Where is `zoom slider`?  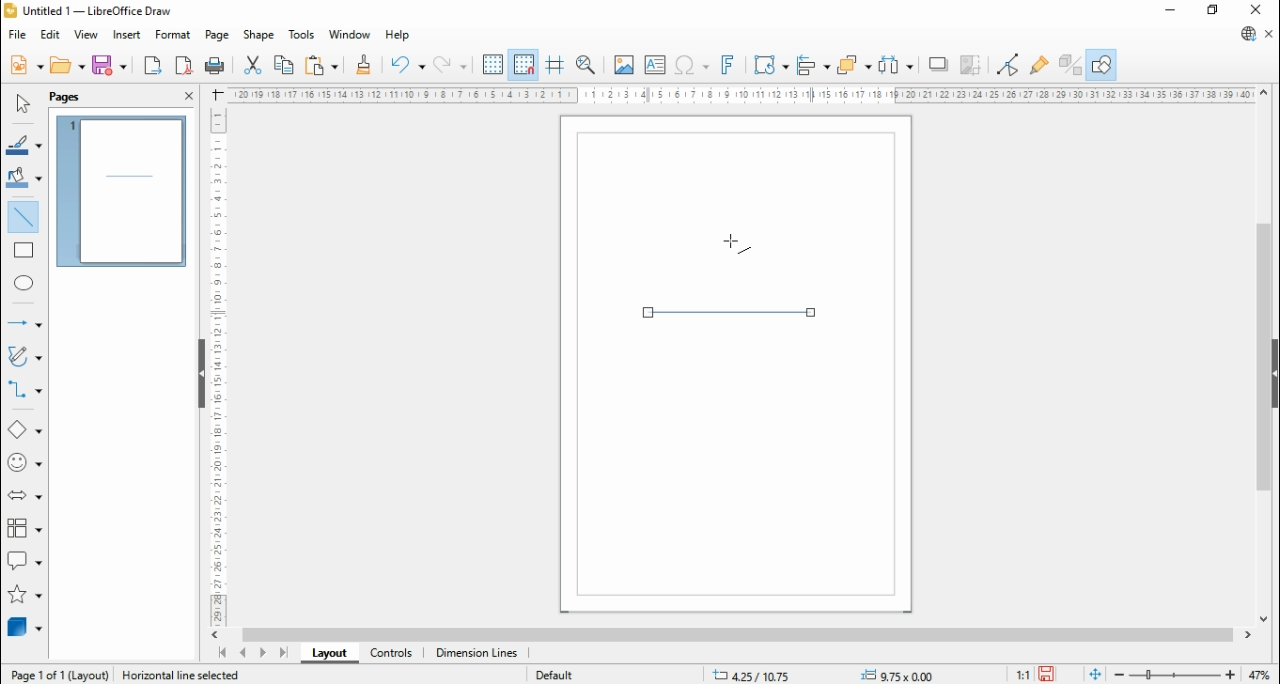
zoom slider is located at coordinates (1173, 675).